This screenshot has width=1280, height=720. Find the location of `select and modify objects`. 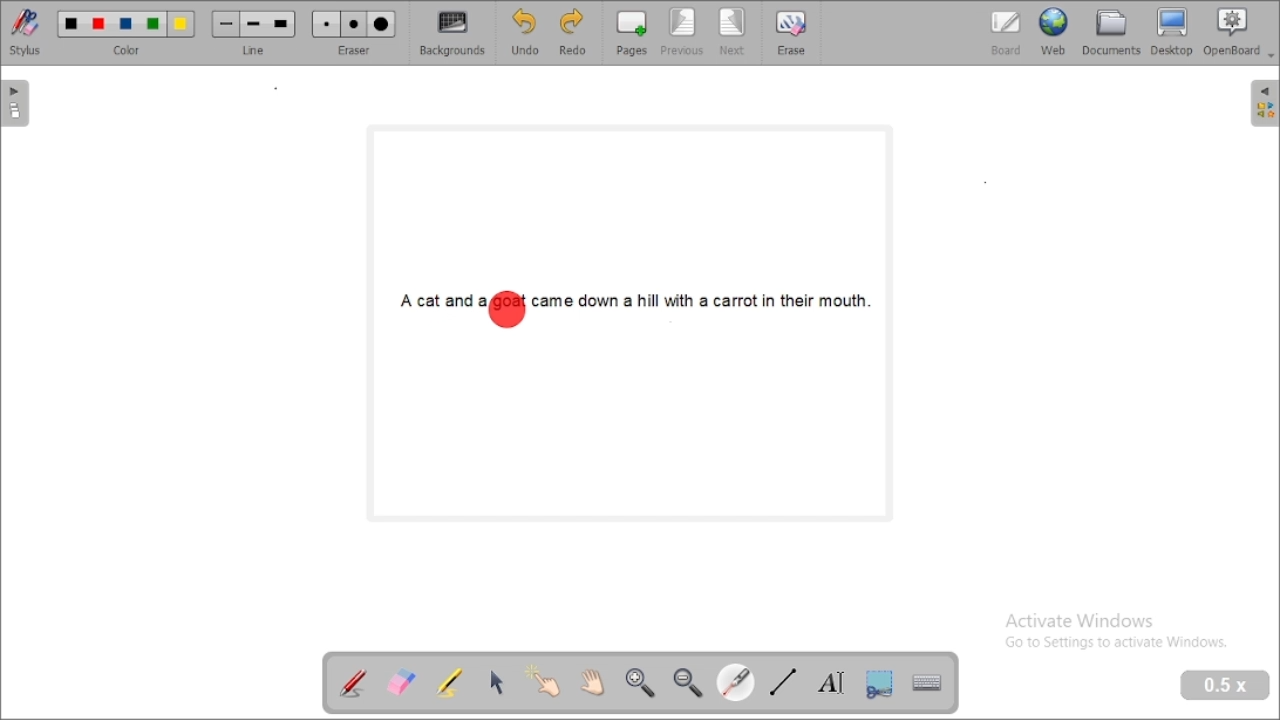

select and modify objects is located at coordinates (496, 683).